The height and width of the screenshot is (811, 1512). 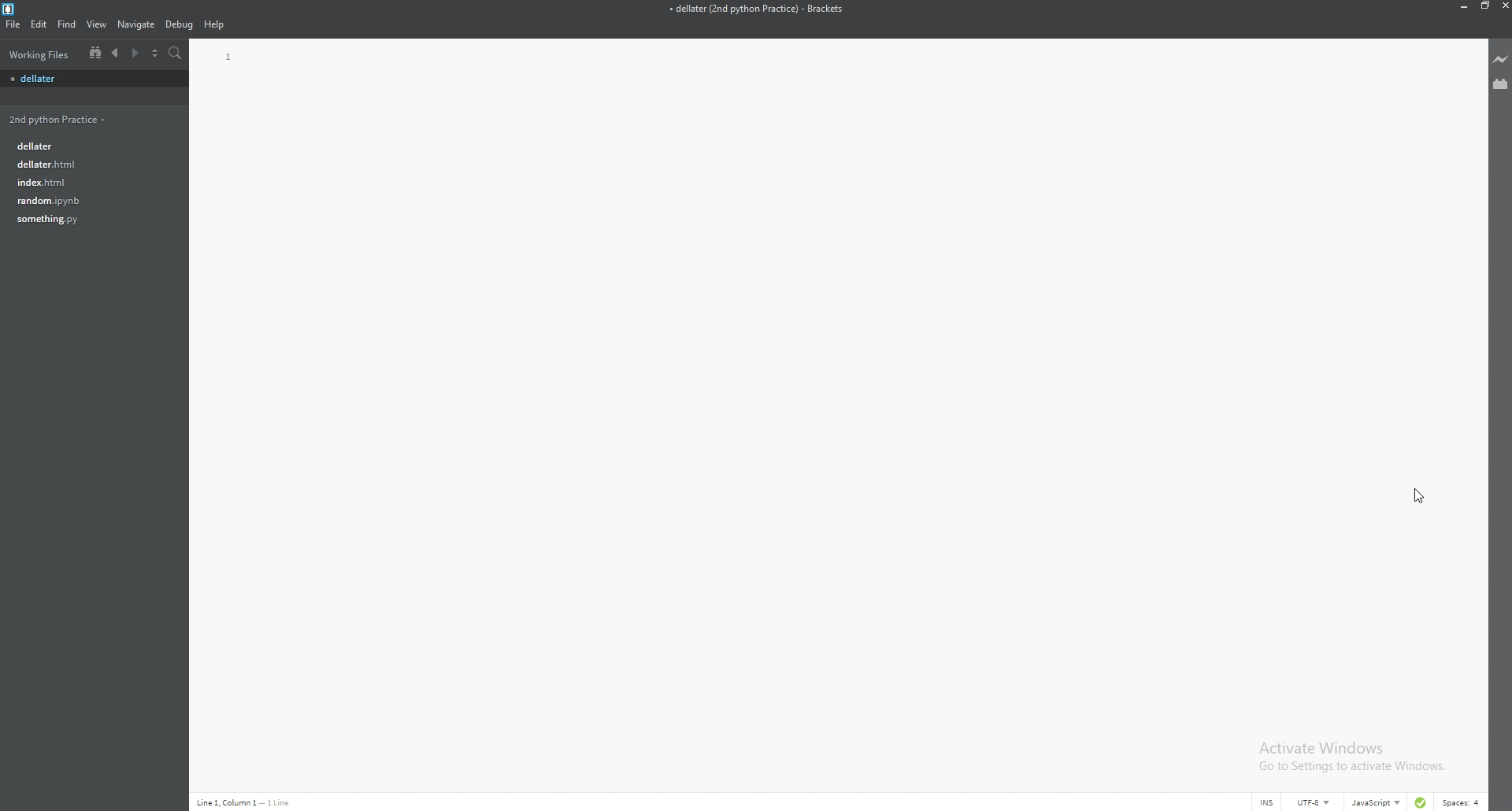 I want to click on cursor mode, so click(x=1269, y=802).